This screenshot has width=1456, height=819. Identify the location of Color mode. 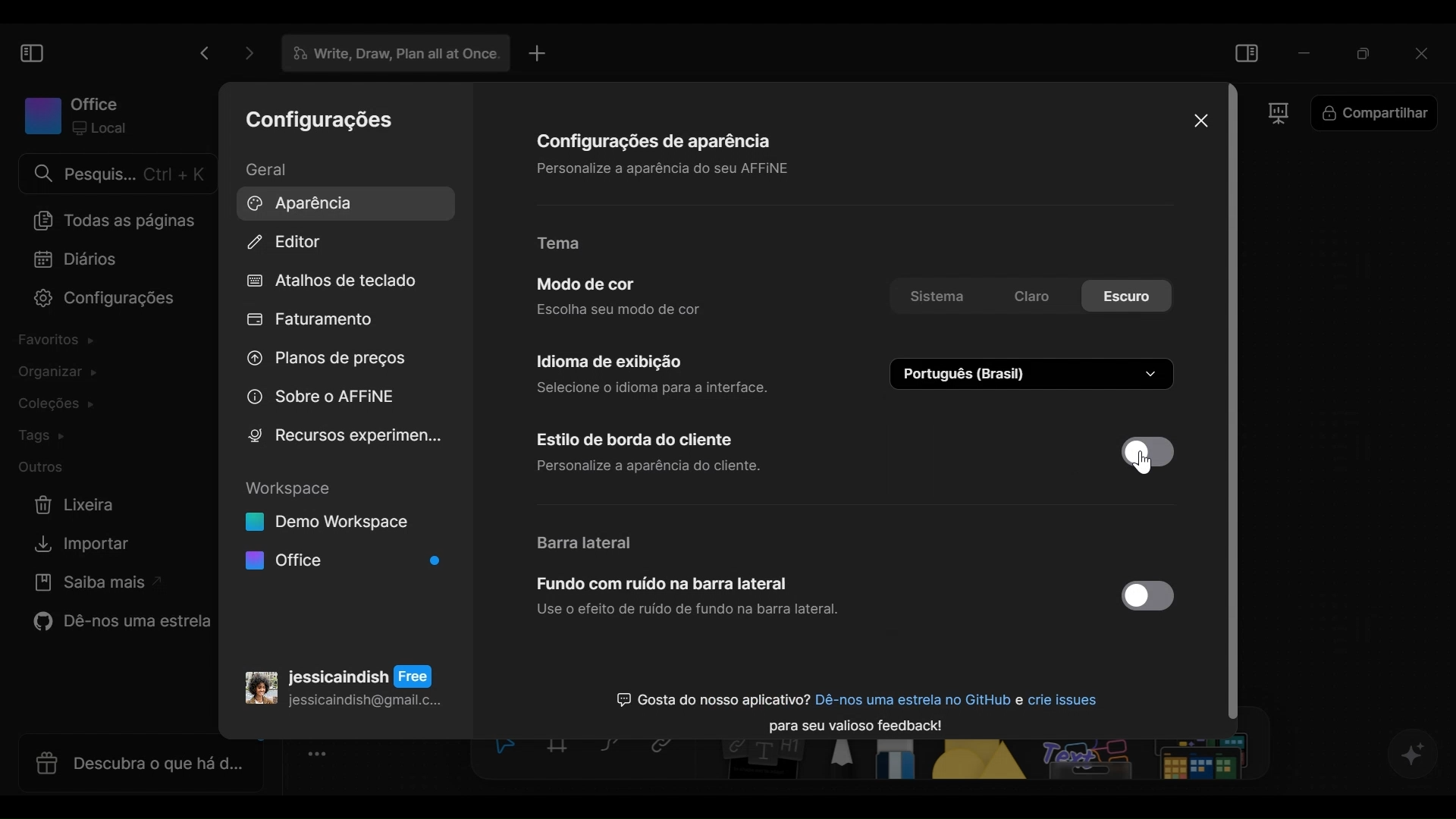
(623, 296).